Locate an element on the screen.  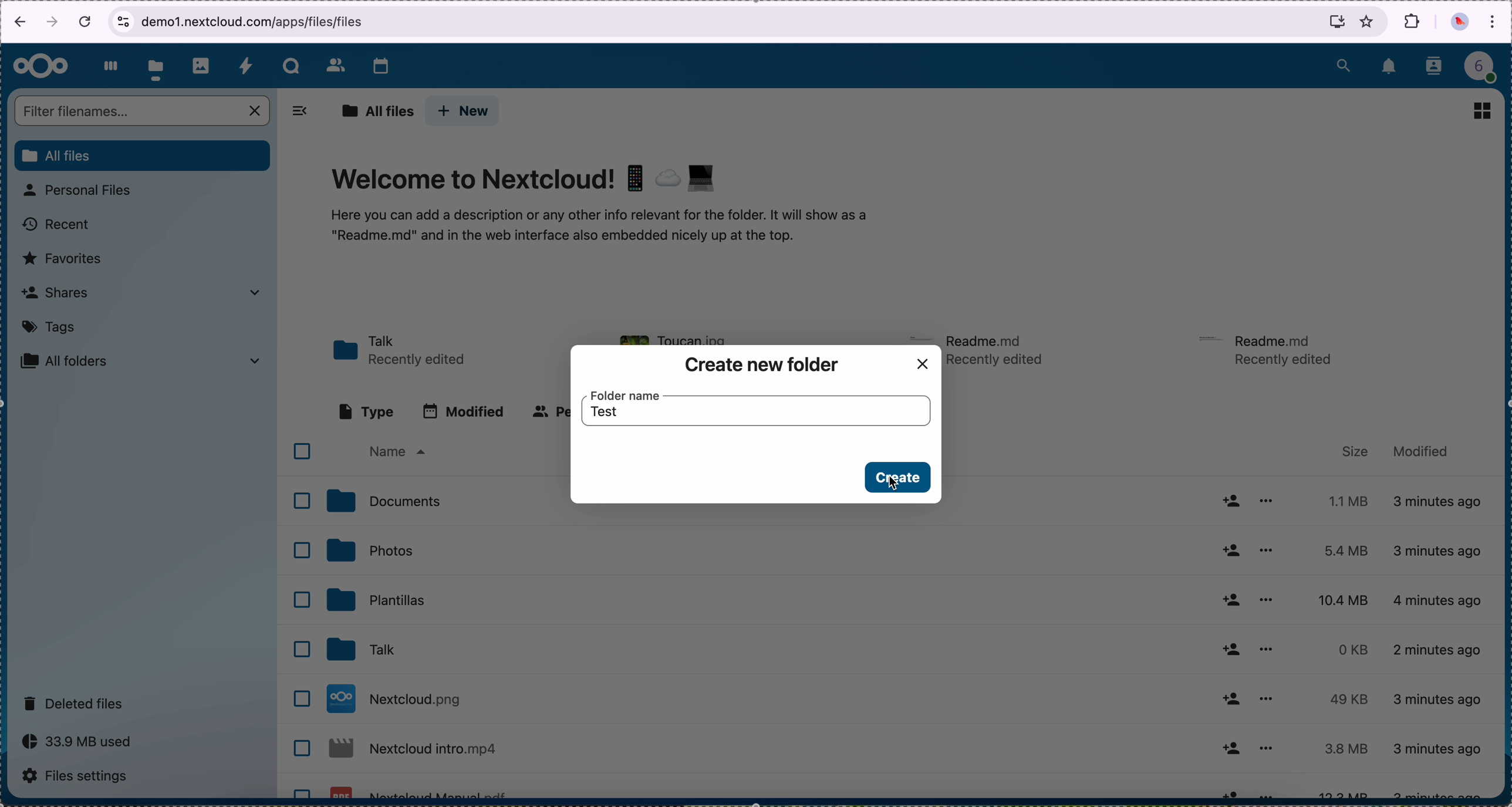
more options is located at coordinates (1271, 792).